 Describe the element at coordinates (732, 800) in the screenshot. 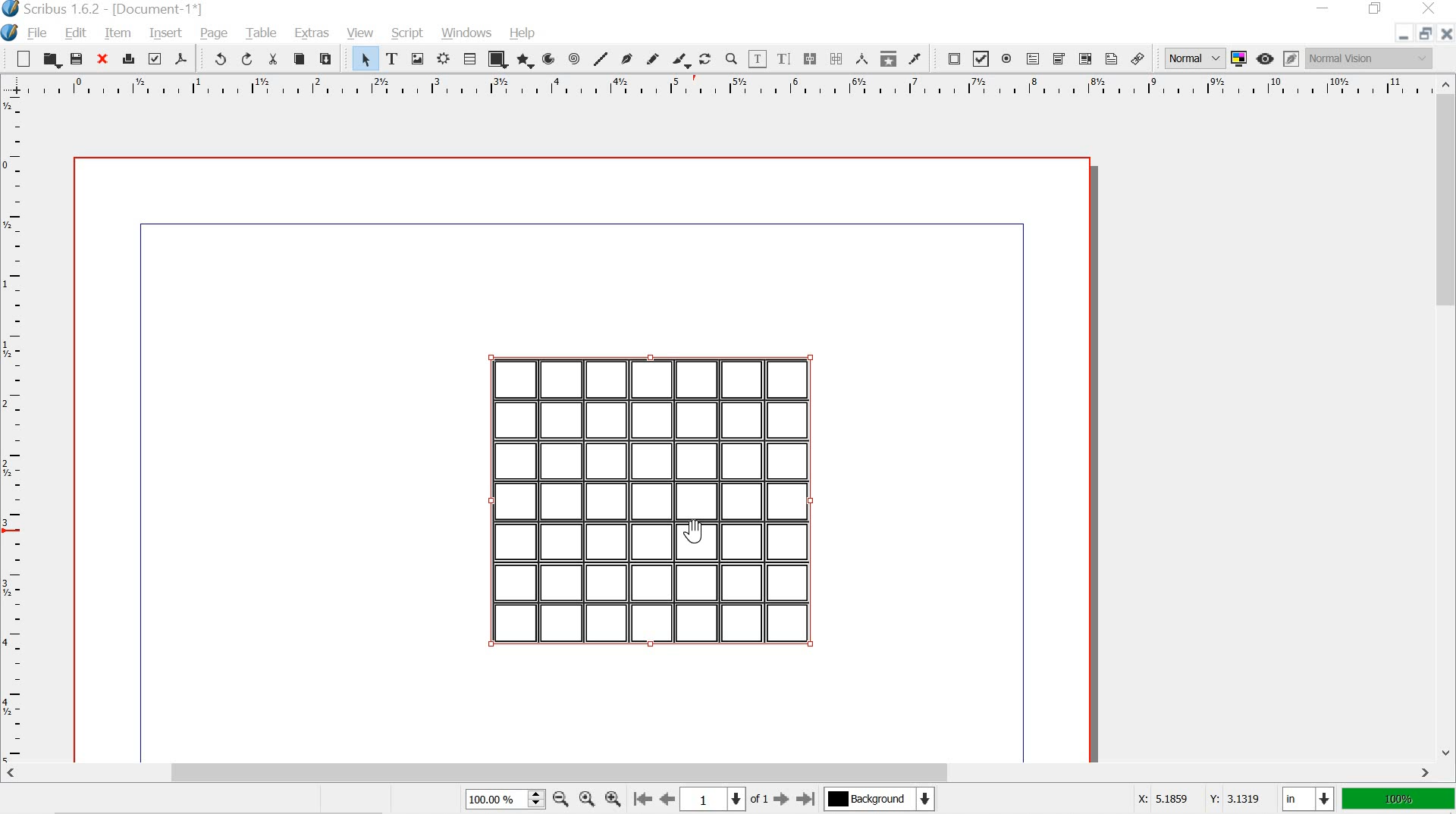

I see `page numbers` at that location.